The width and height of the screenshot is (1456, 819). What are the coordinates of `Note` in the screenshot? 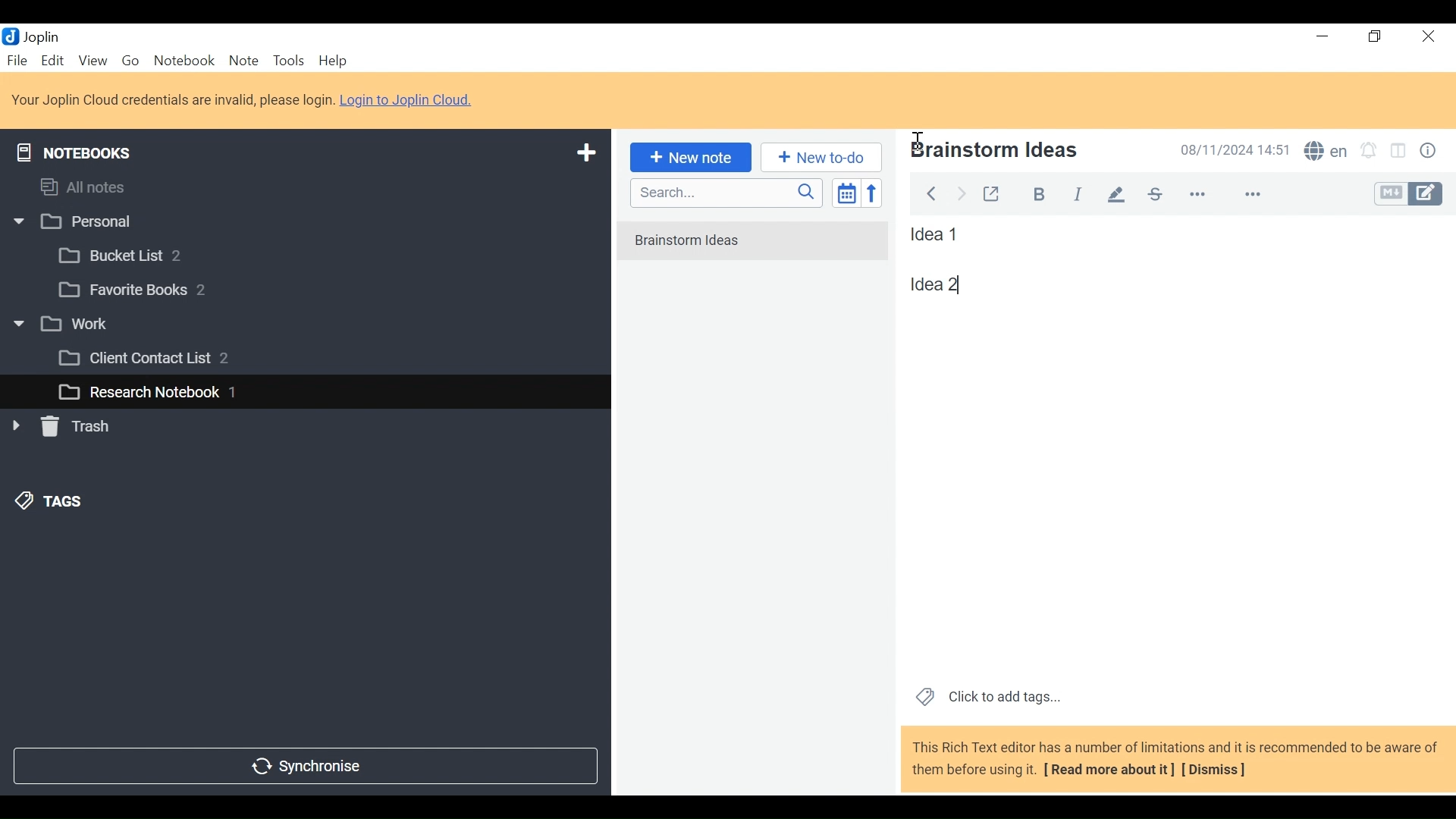 It's located at (243, 60).